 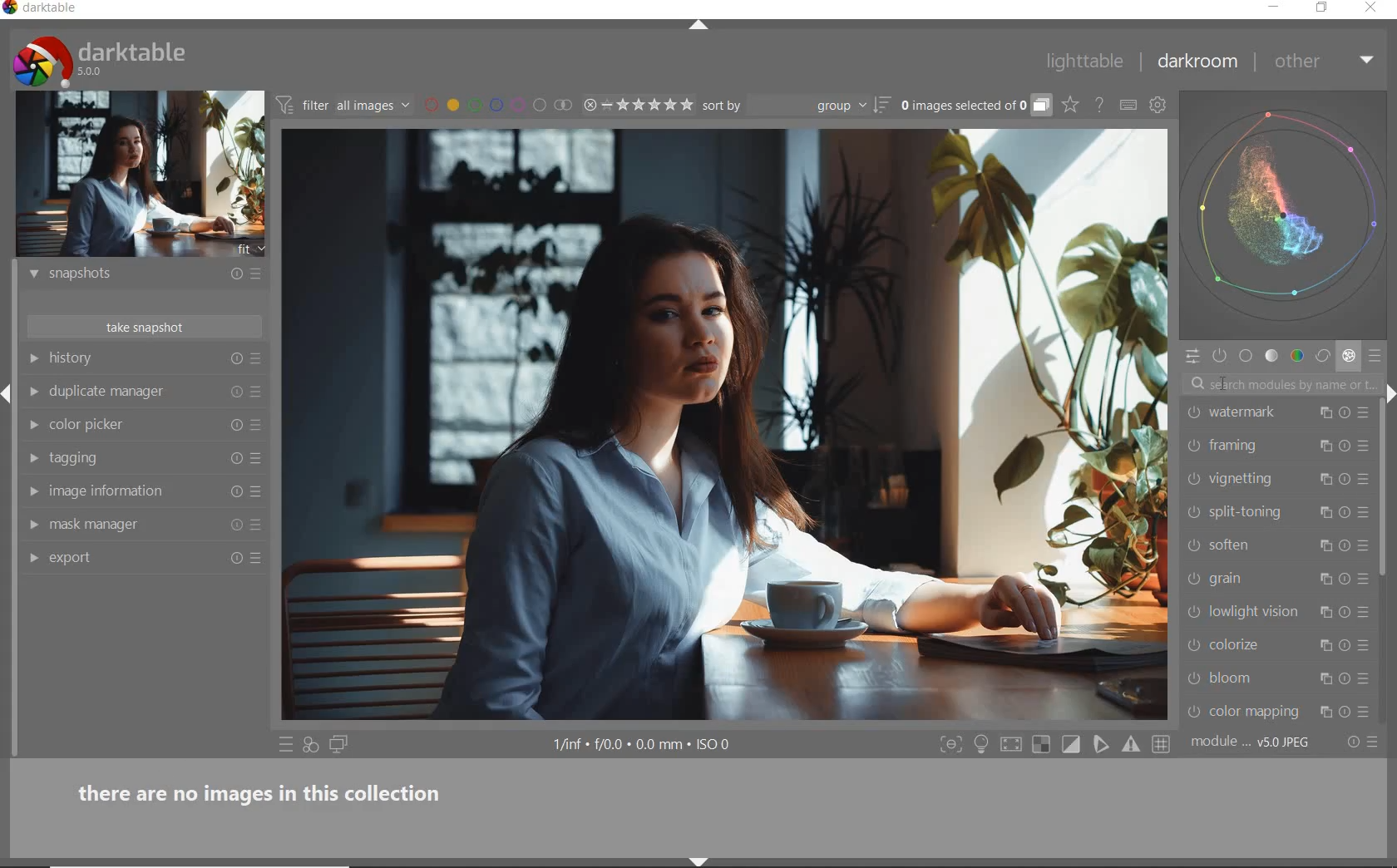 What do you see at coordinates (259, 558) in the screenshot?
I see `preset and preferences` at bounding box center [259, 558].